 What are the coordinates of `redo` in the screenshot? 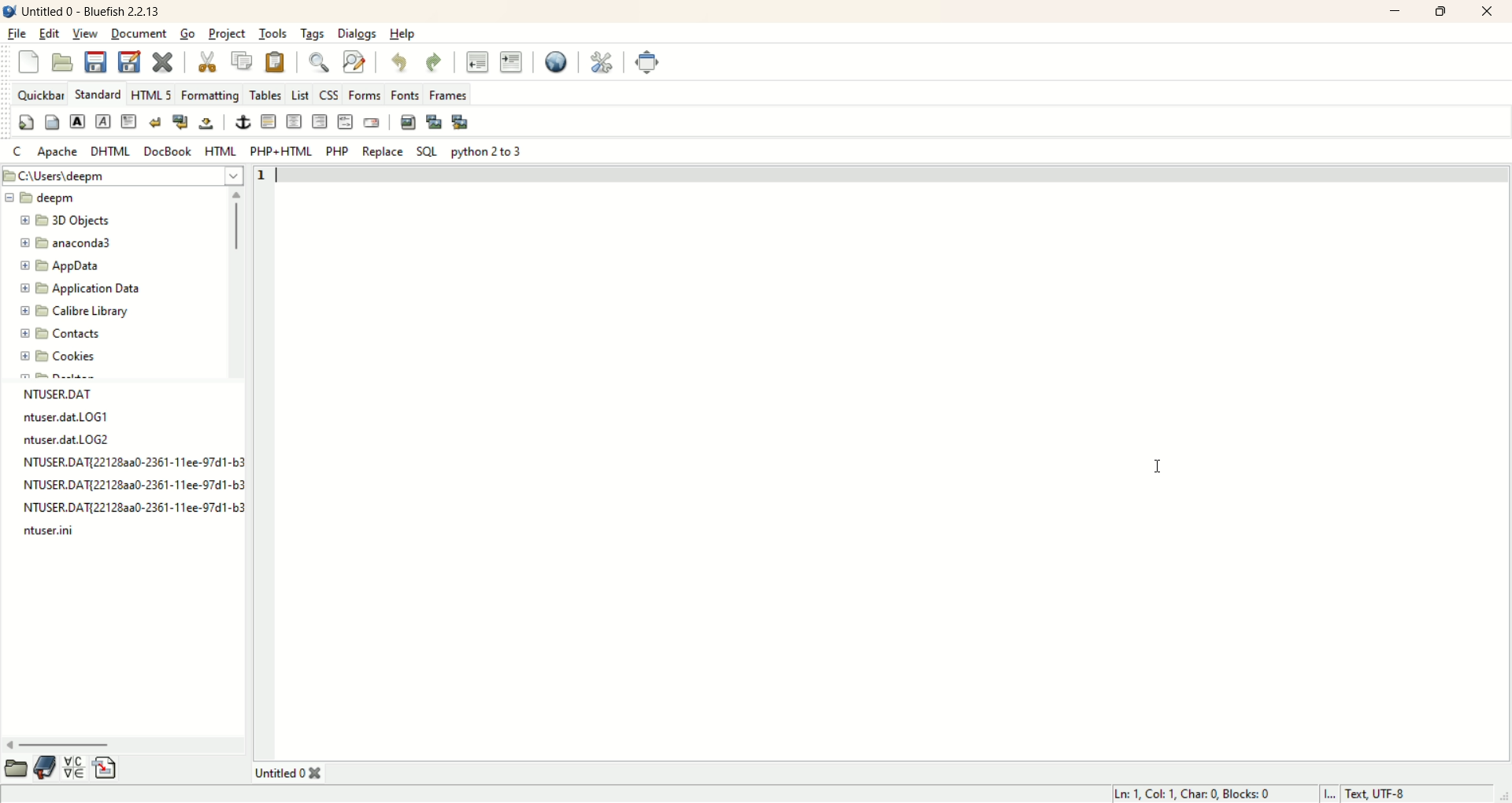 It's located at (434, 63).